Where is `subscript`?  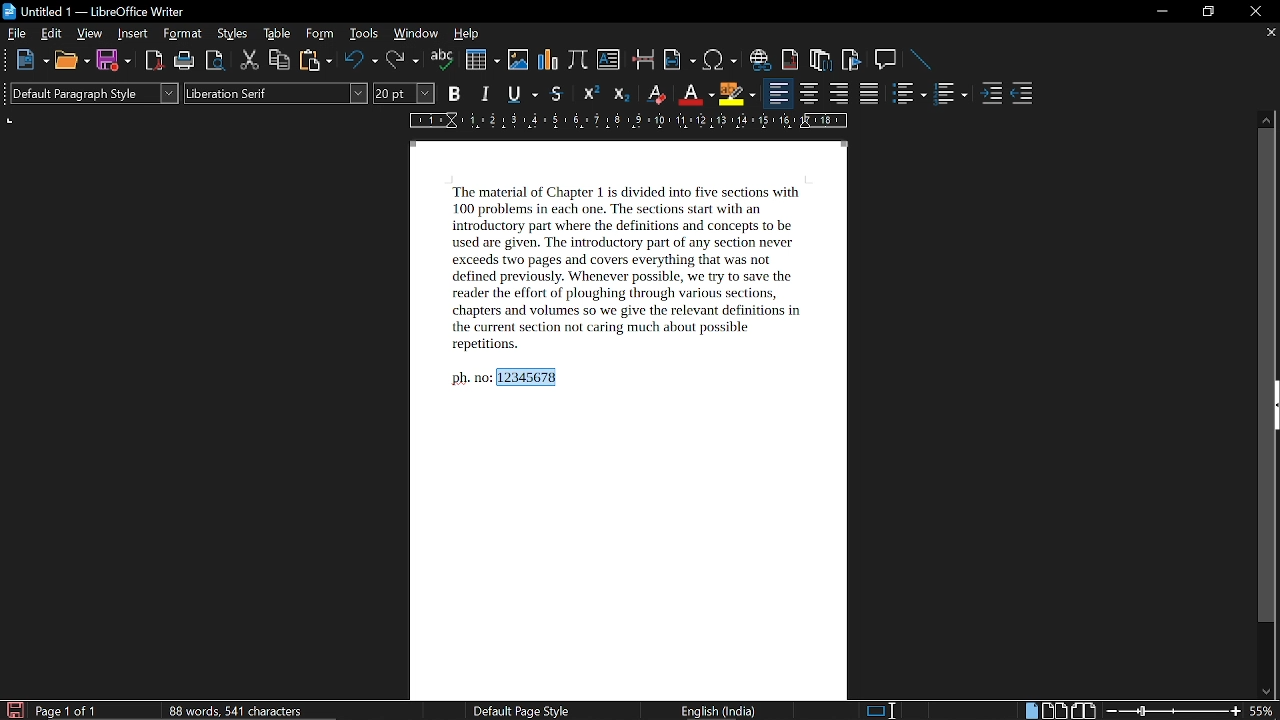
subscript is located at coordinates (619, 94).